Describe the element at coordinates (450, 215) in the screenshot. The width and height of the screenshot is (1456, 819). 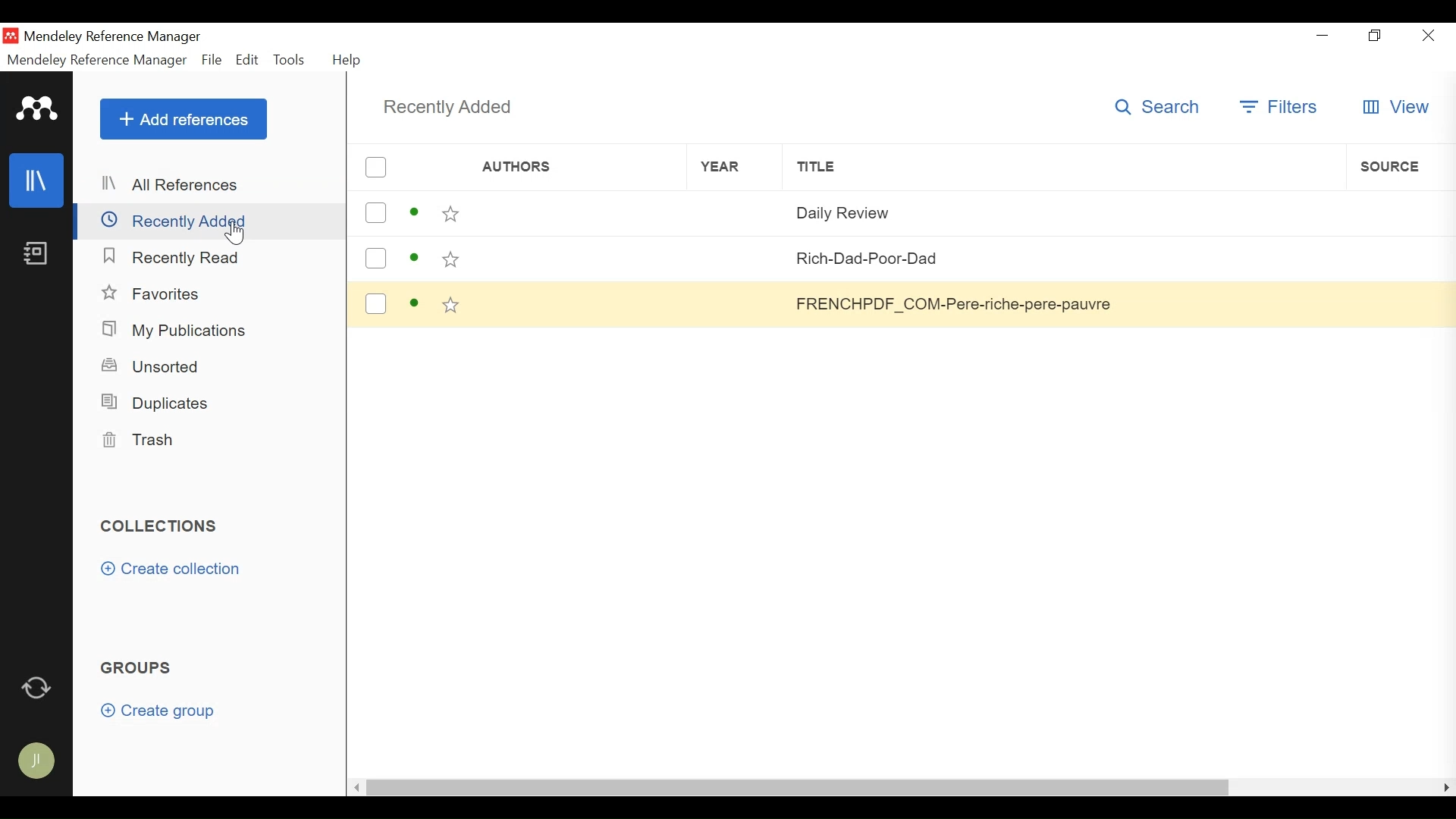
I see `(un)select Favorite` at that location.